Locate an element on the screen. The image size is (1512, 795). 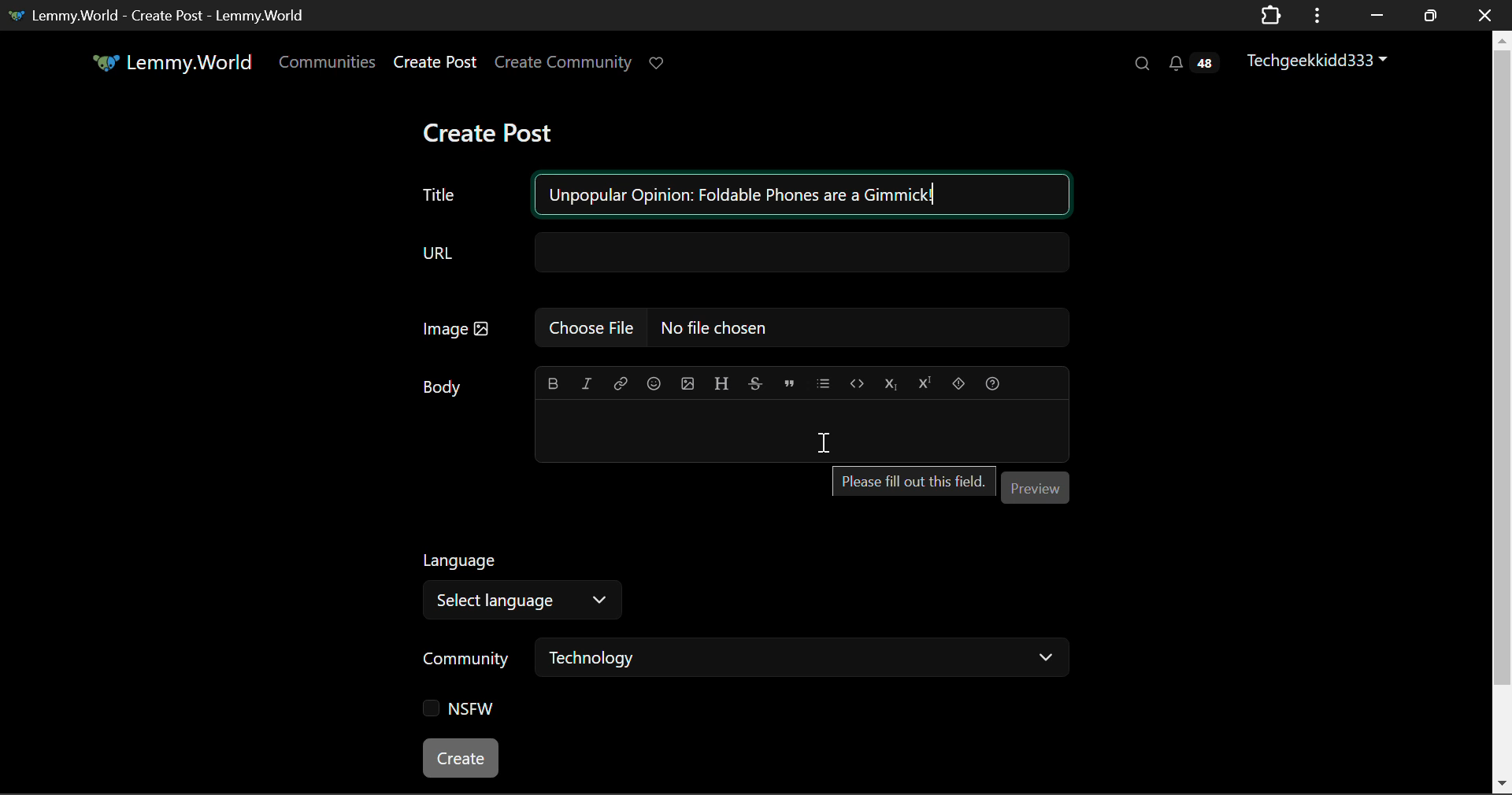
URL is located at coordinates (743, 253).